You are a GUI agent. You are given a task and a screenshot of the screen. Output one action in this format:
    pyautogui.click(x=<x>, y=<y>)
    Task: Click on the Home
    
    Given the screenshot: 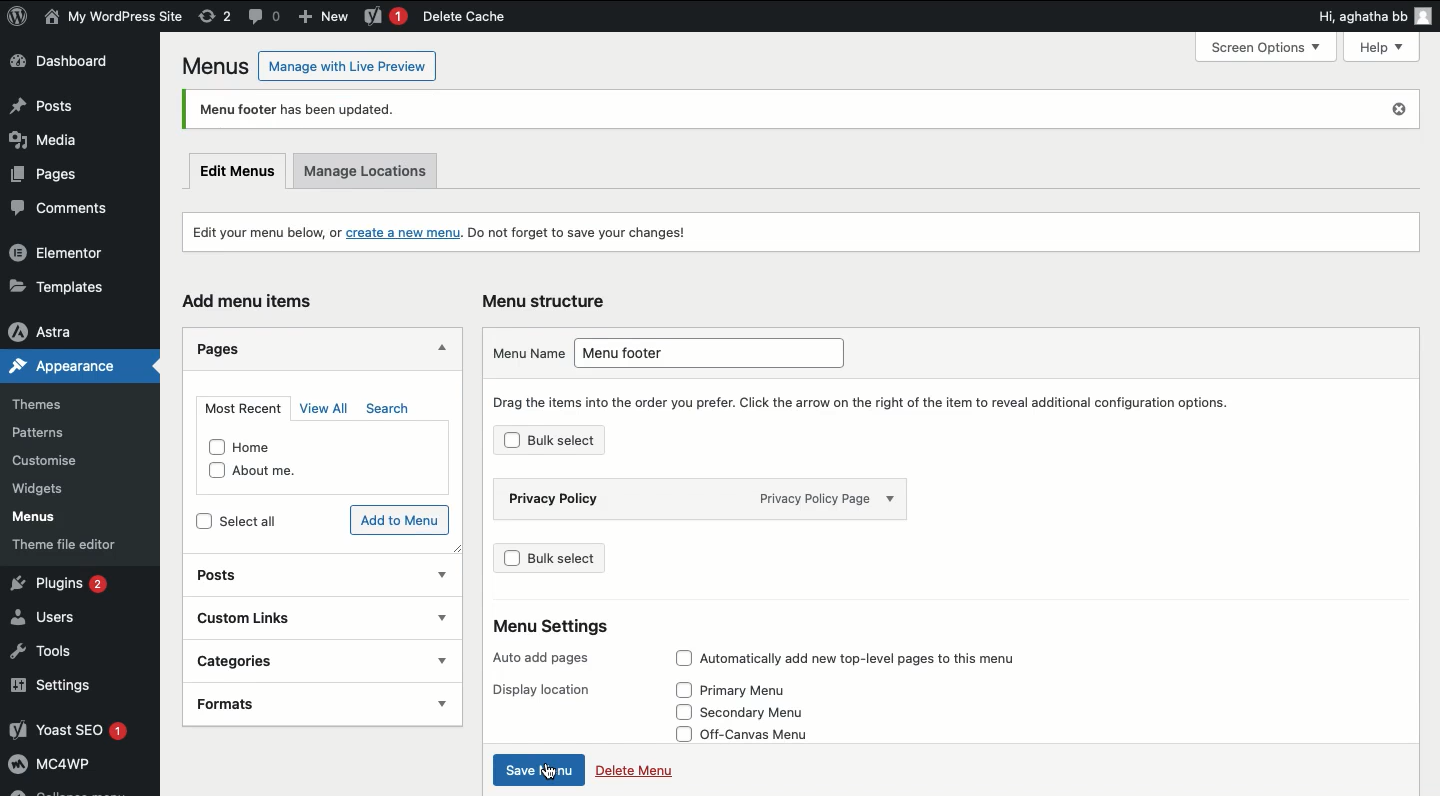 What is the action you would take?
    pyautogui.click(x=266, y=446)
    